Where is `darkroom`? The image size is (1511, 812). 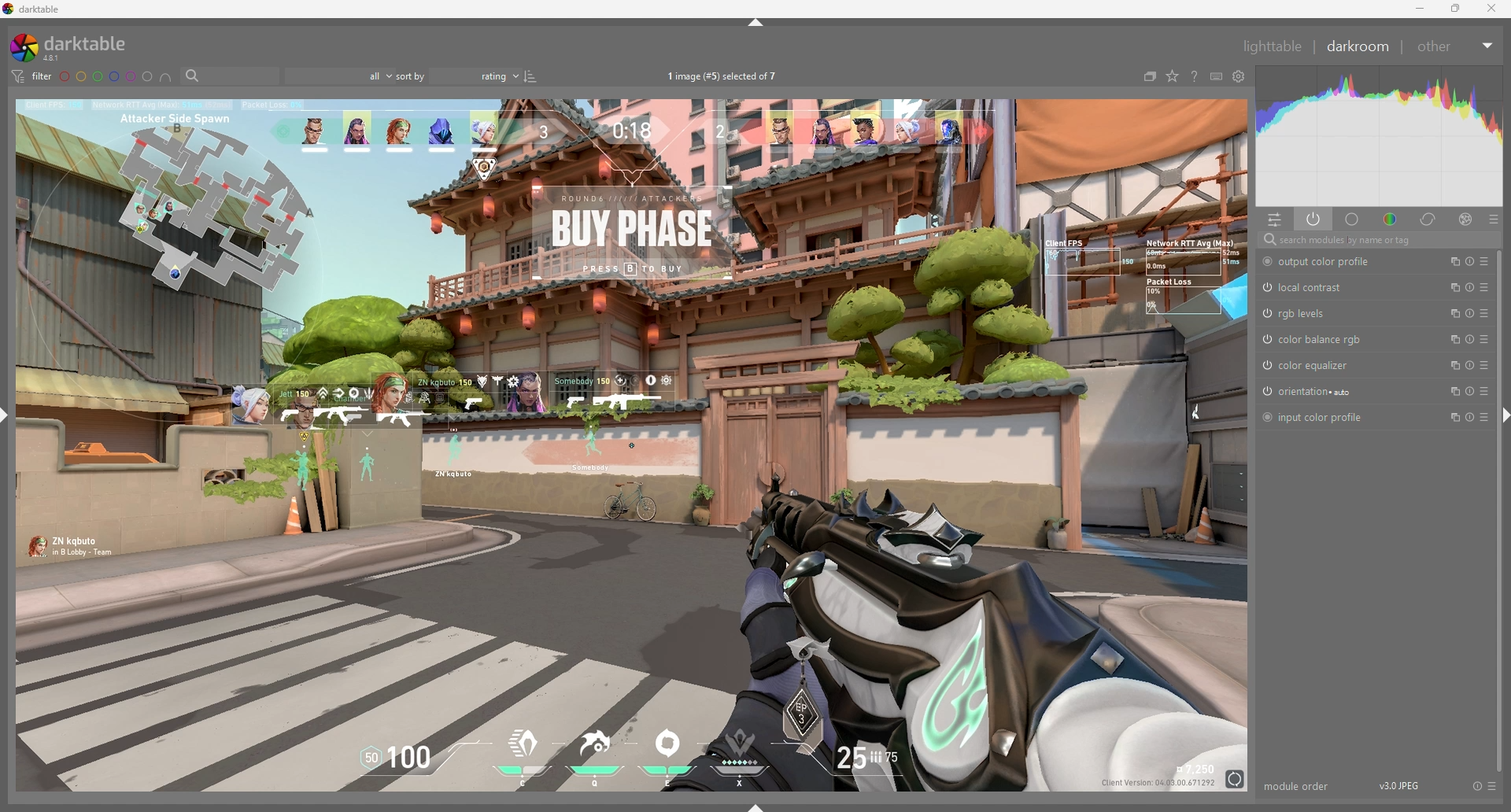
darkroom is located at coordinates (1361, 46).